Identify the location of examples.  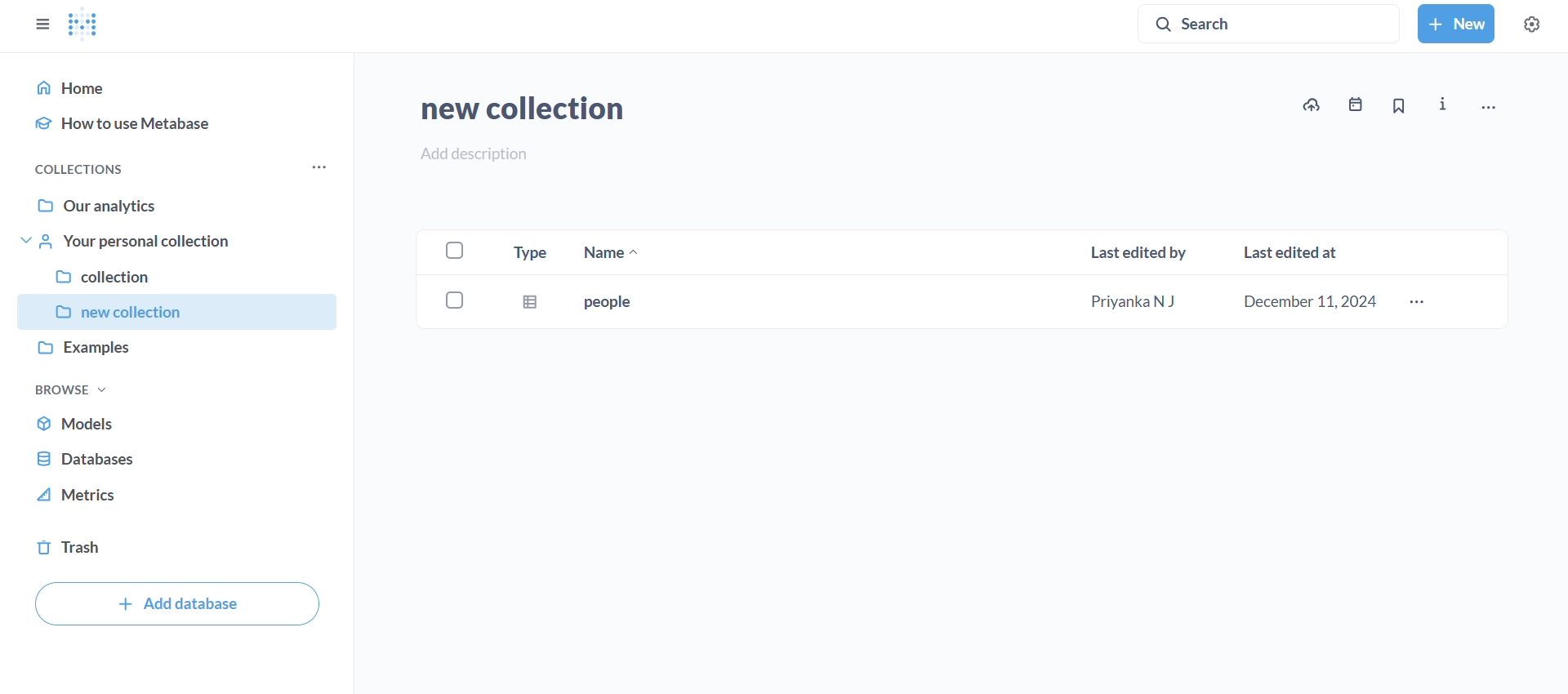
(176, 352).